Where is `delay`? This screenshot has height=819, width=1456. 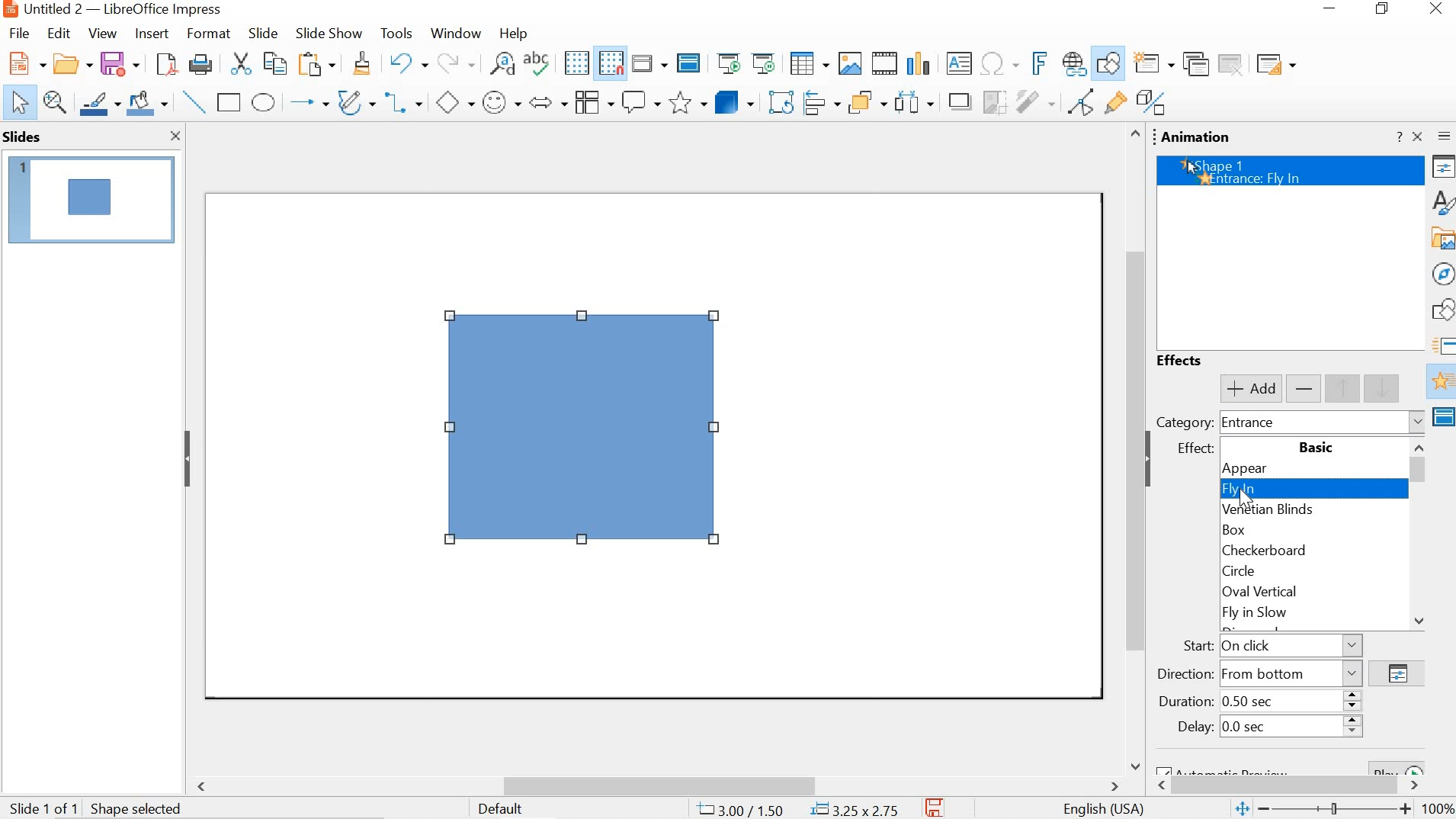
delay is located at coordinates (1263, 727).